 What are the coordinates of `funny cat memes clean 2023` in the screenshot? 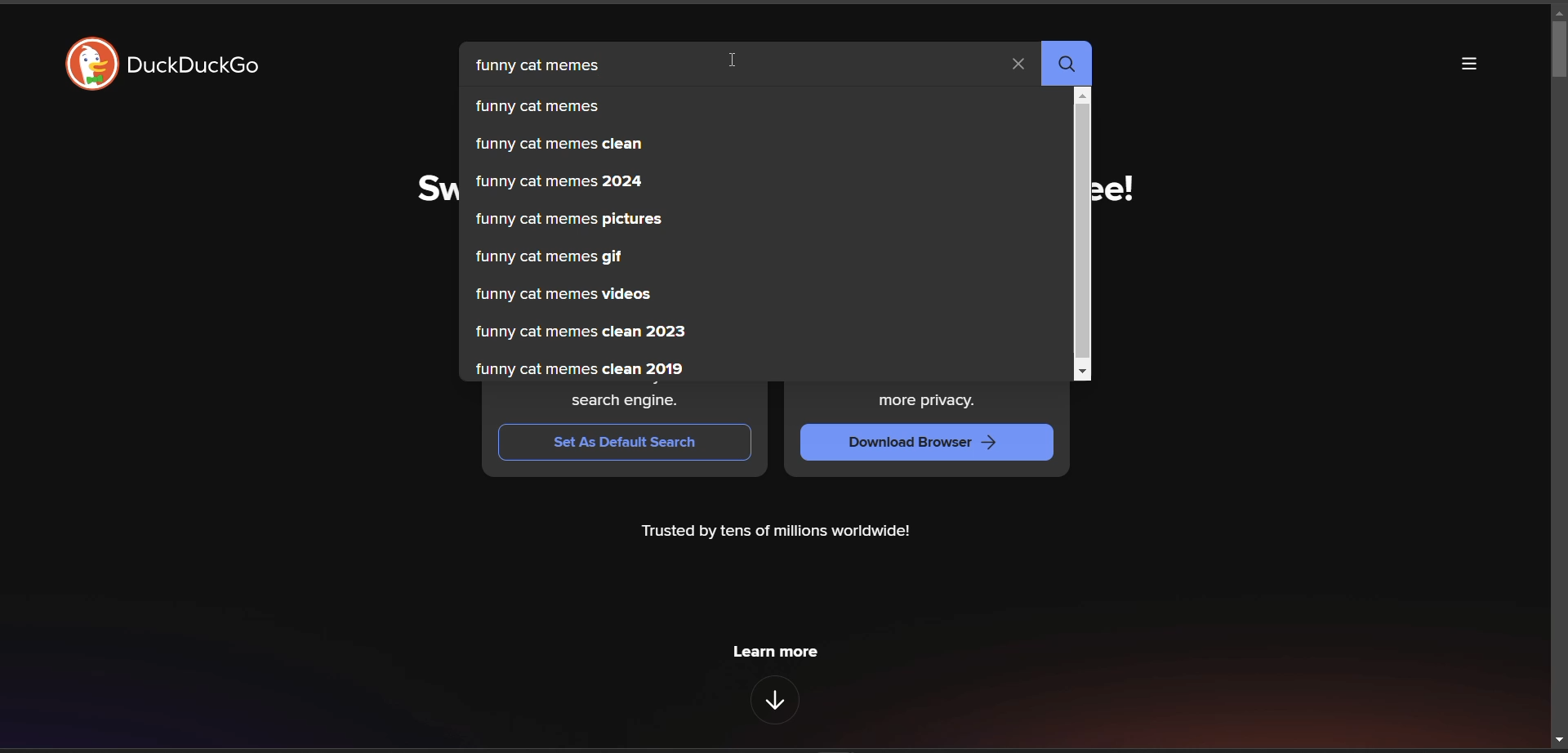 It's located at (577, 332).